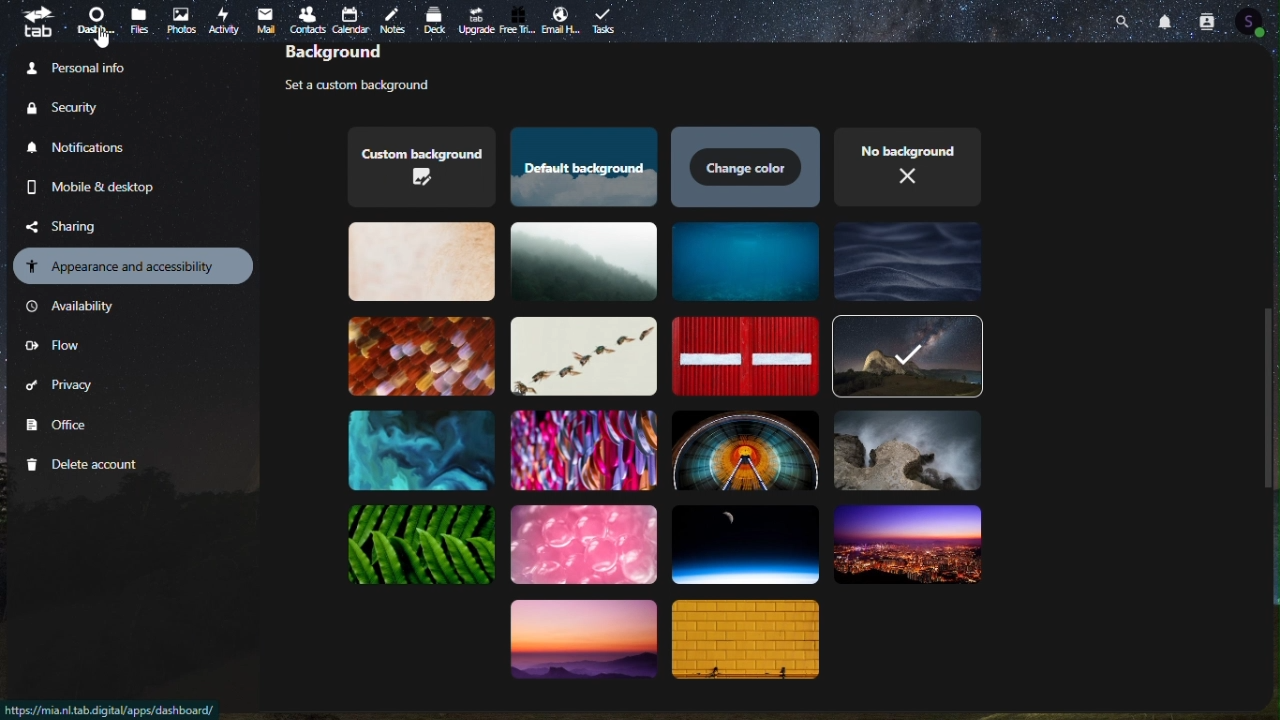  Describe the element at coordinates (181, 20) in the screenshot. I see `Photos` at that location.